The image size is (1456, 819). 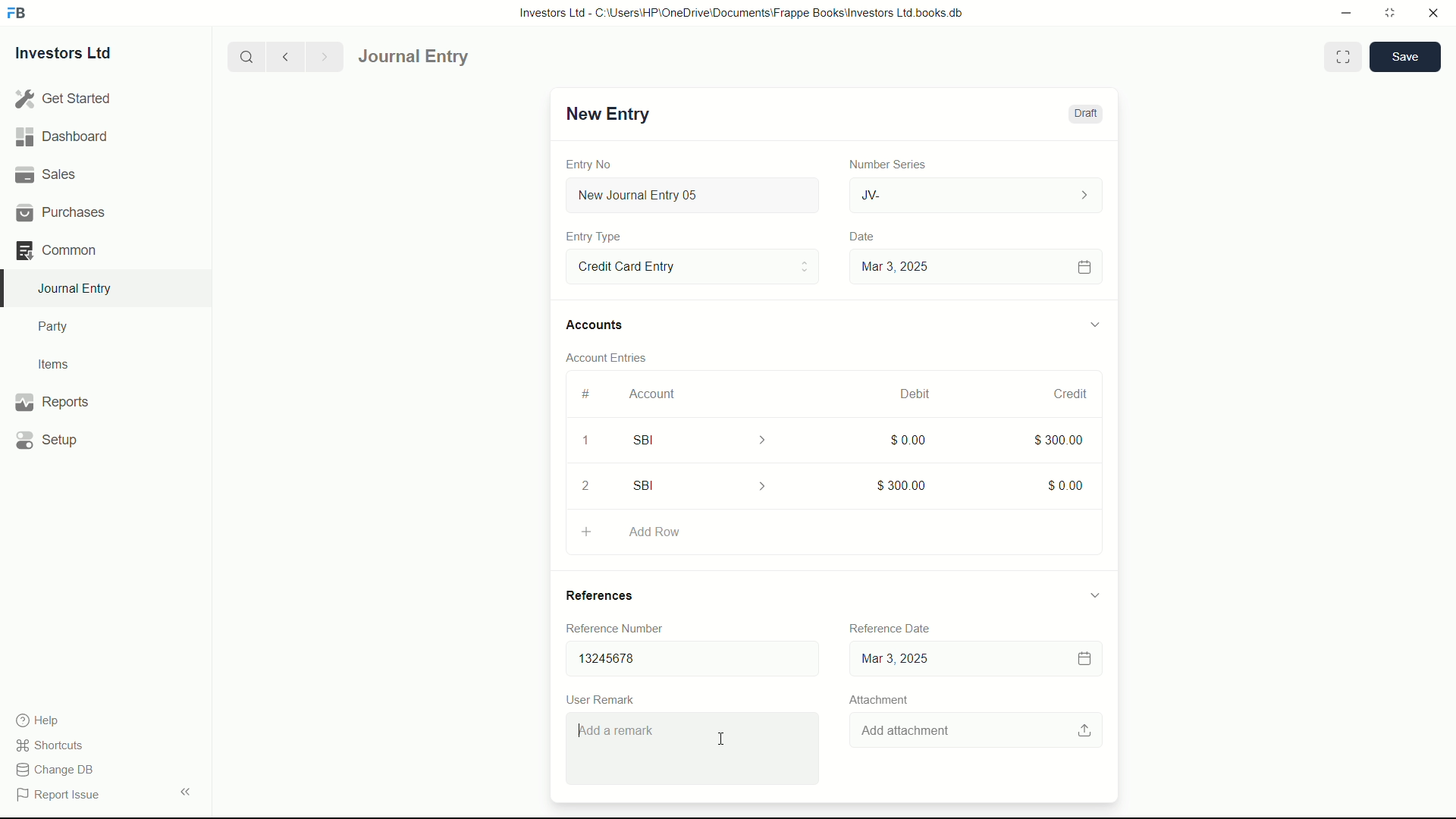 What do you see at coordinates (185, 790) in the screenshot?
I see `expand/collapse` at bounding box center [185, 790].